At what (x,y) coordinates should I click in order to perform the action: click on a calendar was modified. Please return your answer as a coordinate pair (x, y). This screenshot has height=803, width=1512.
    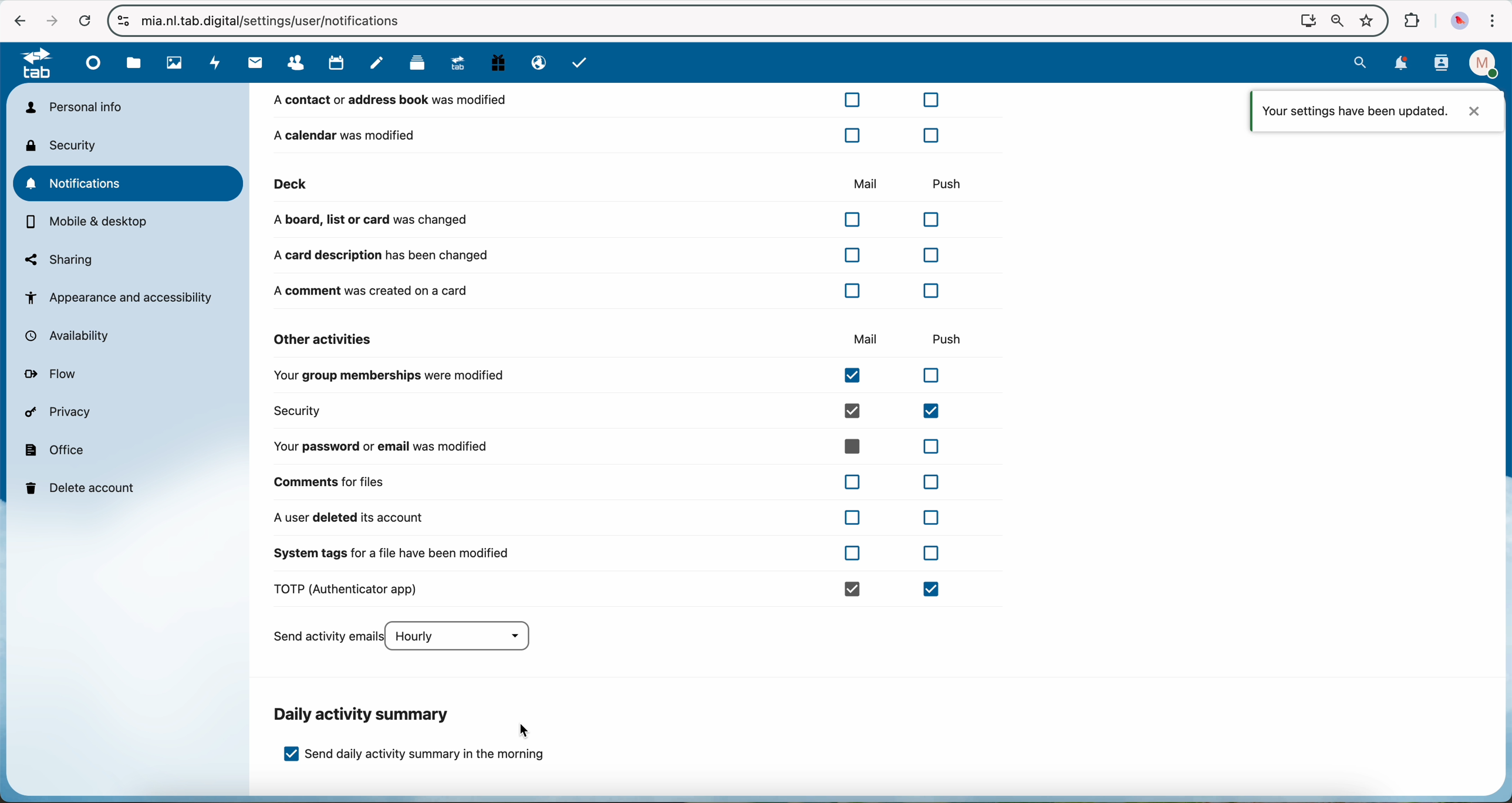
    Looking at the image, I should click on (606, 134).